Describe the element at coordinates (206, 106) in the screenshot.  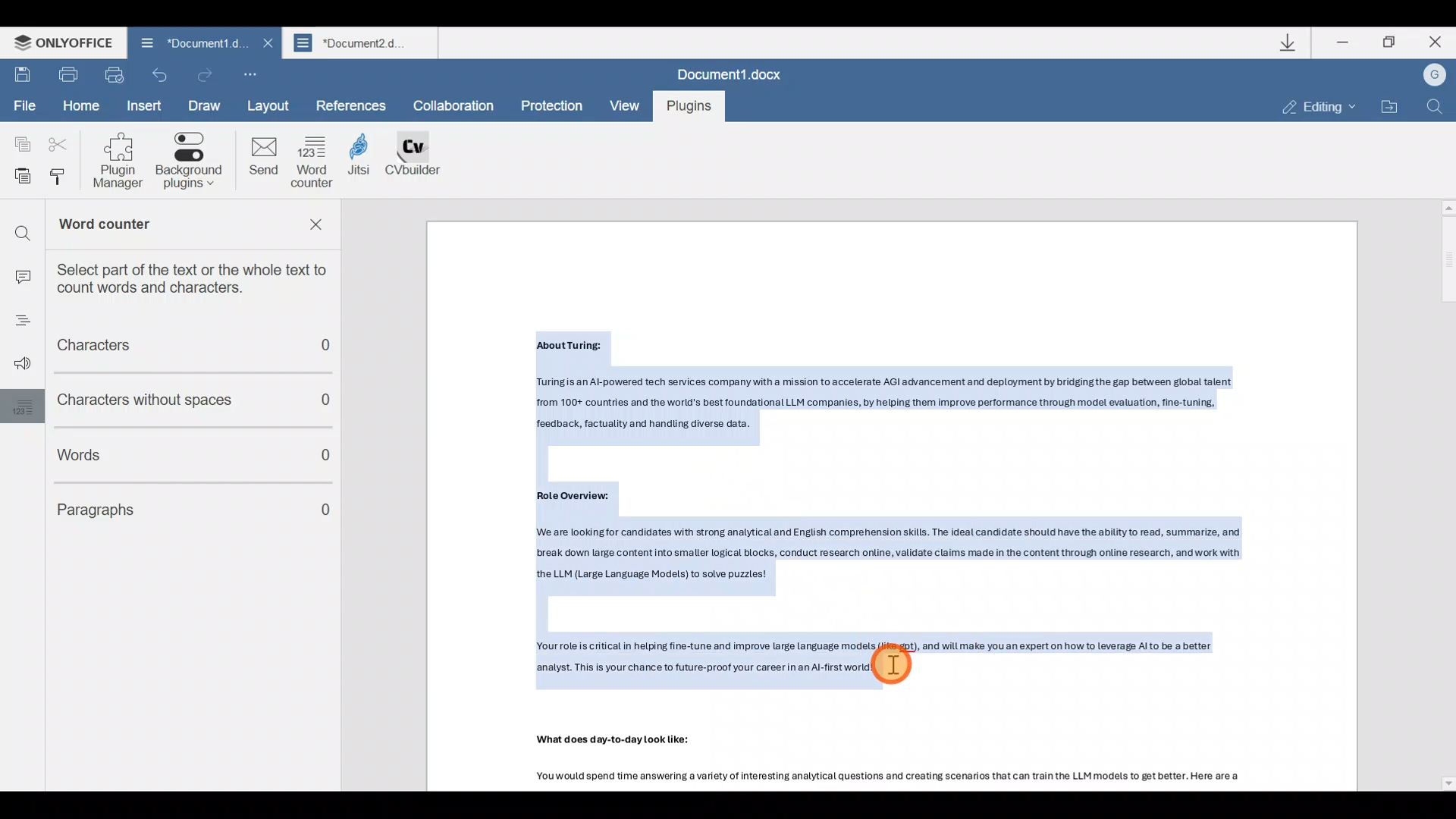
I see `Draw` at that location.